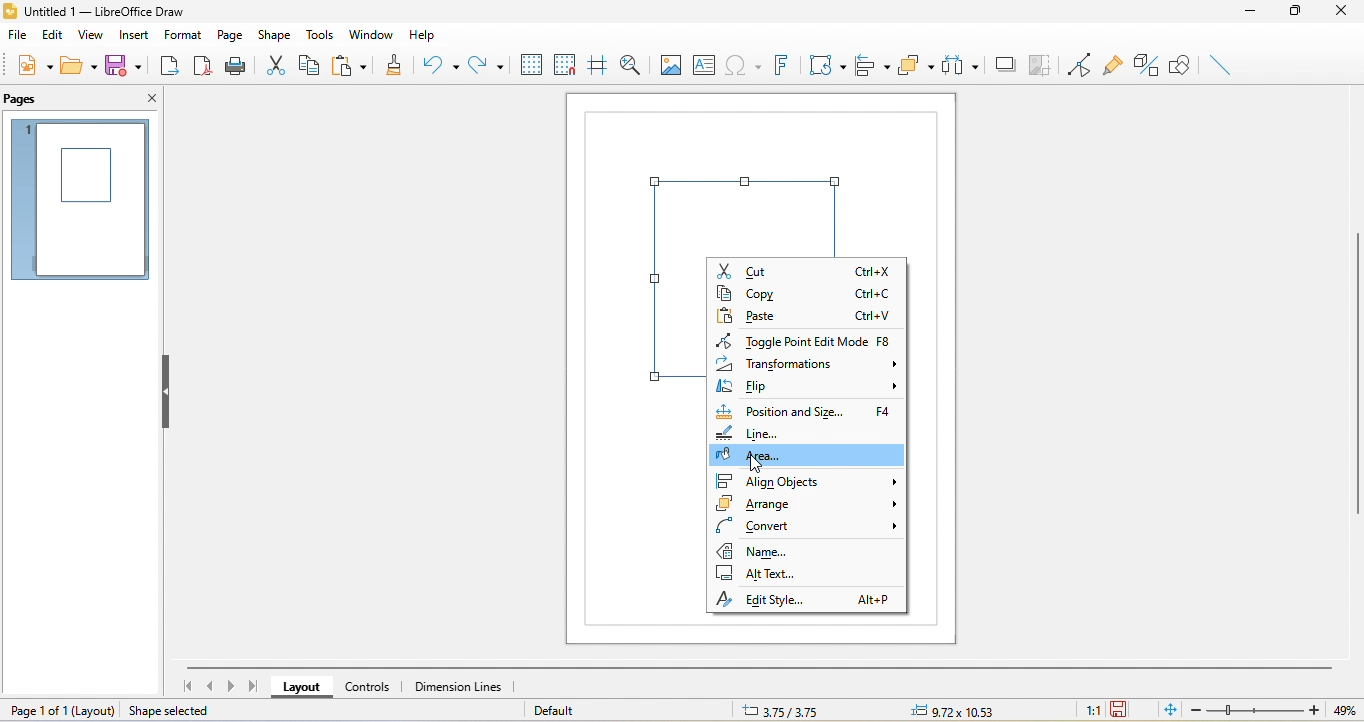 This screenshot has width=1364, height=722. Describe the element at coordinates (1355, 370) in the screenshot. I see `vertical scroll bar` at that location.